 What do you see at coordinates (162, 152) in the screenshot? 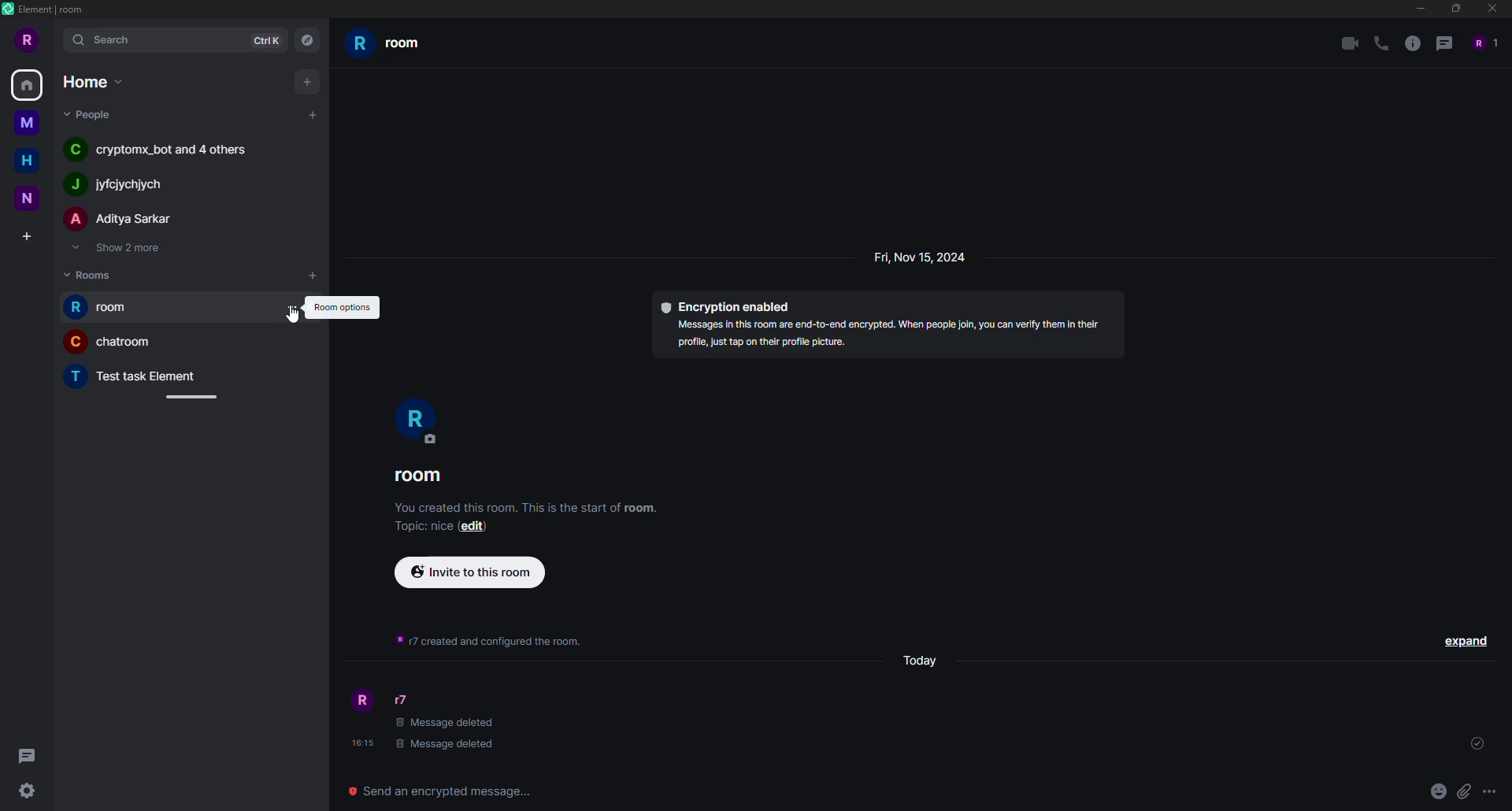
I see `C  cryptomx_bot and 4 others` at bounding box center [162, 152].